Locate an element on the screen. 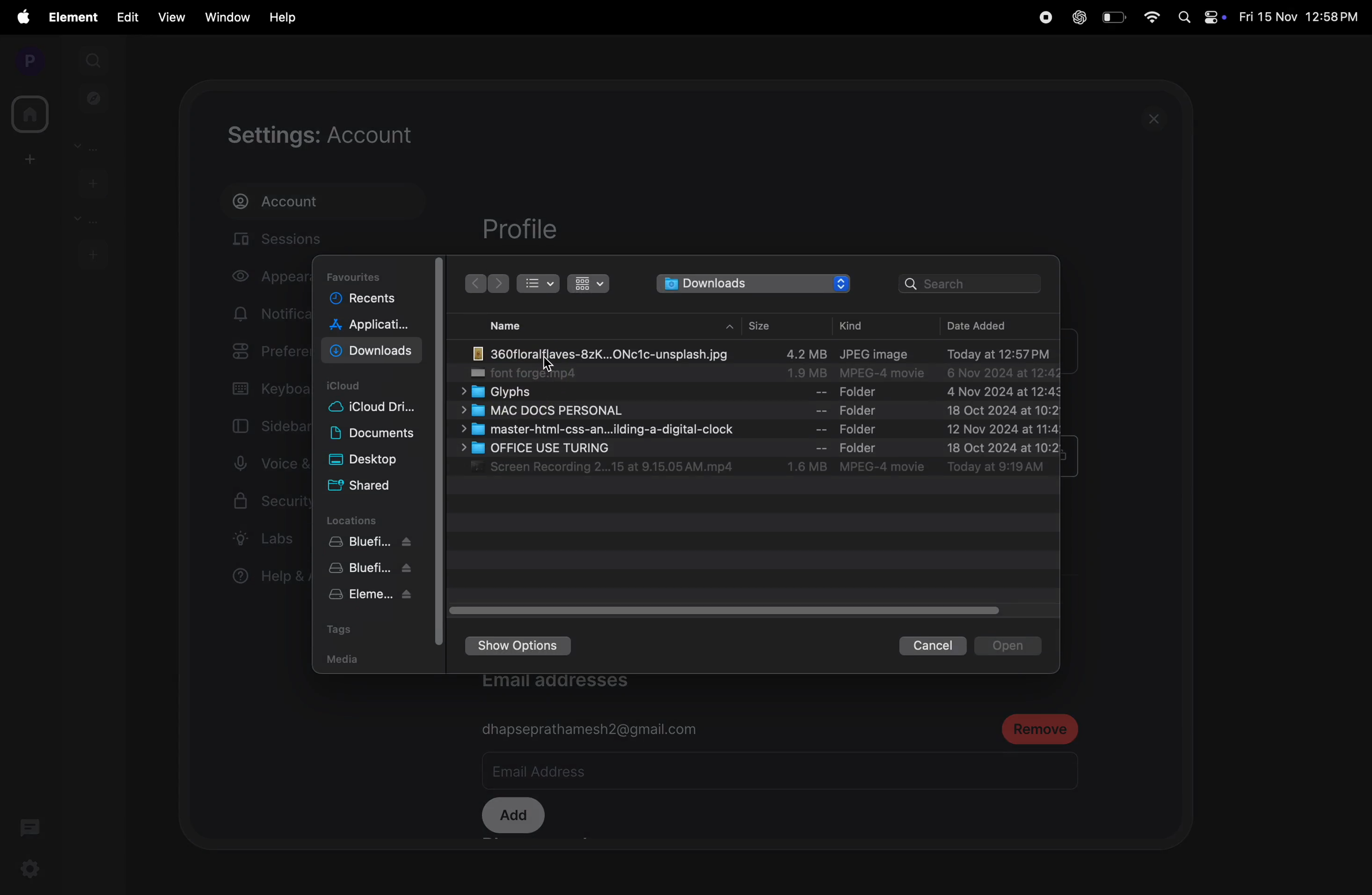 The height and width of the screenshot is (895, 1372). search is located at coordinates (974, 284).